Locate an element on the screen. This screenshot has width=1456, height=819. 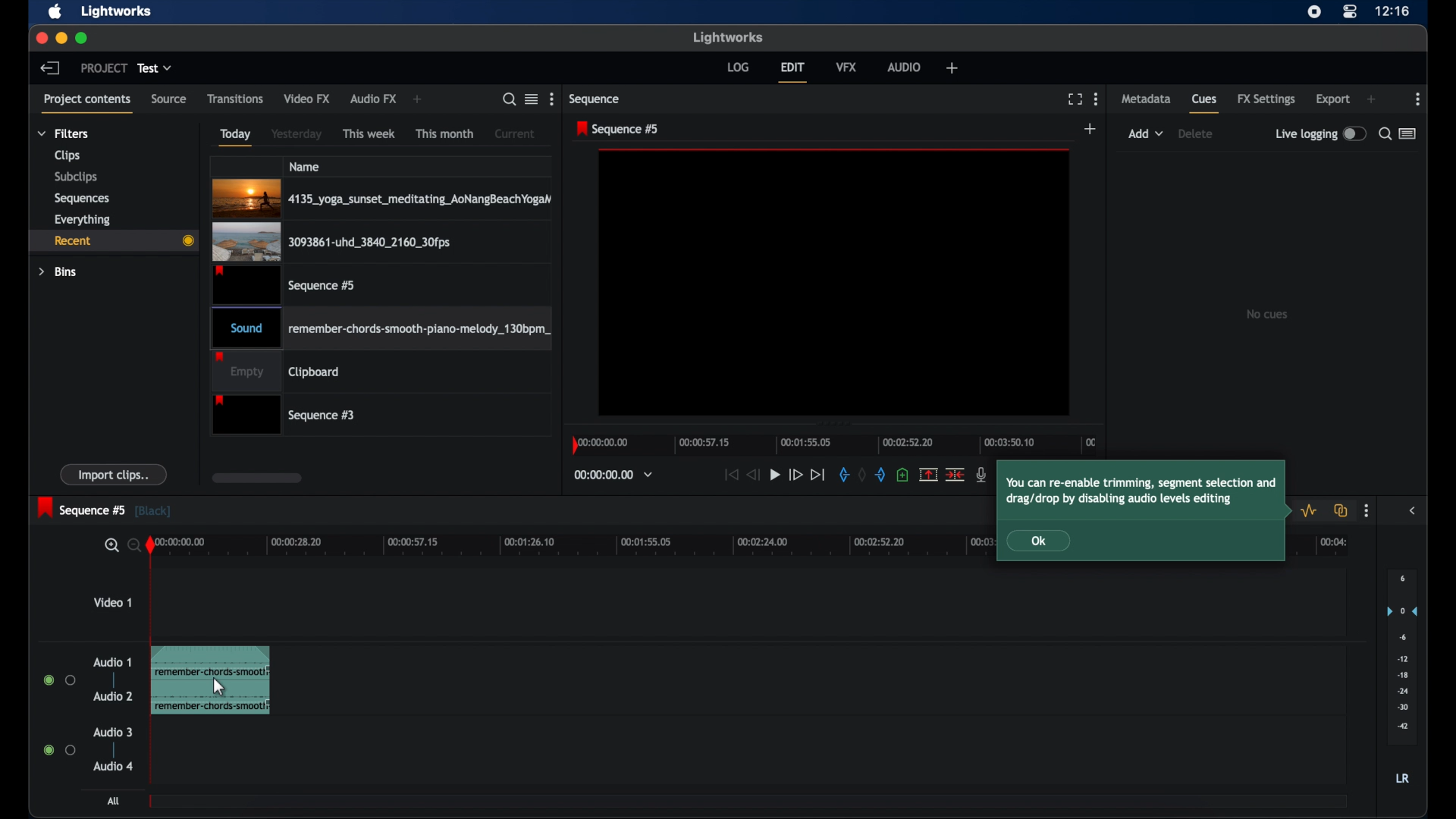
video 1 is located at coordinates (112, 602).